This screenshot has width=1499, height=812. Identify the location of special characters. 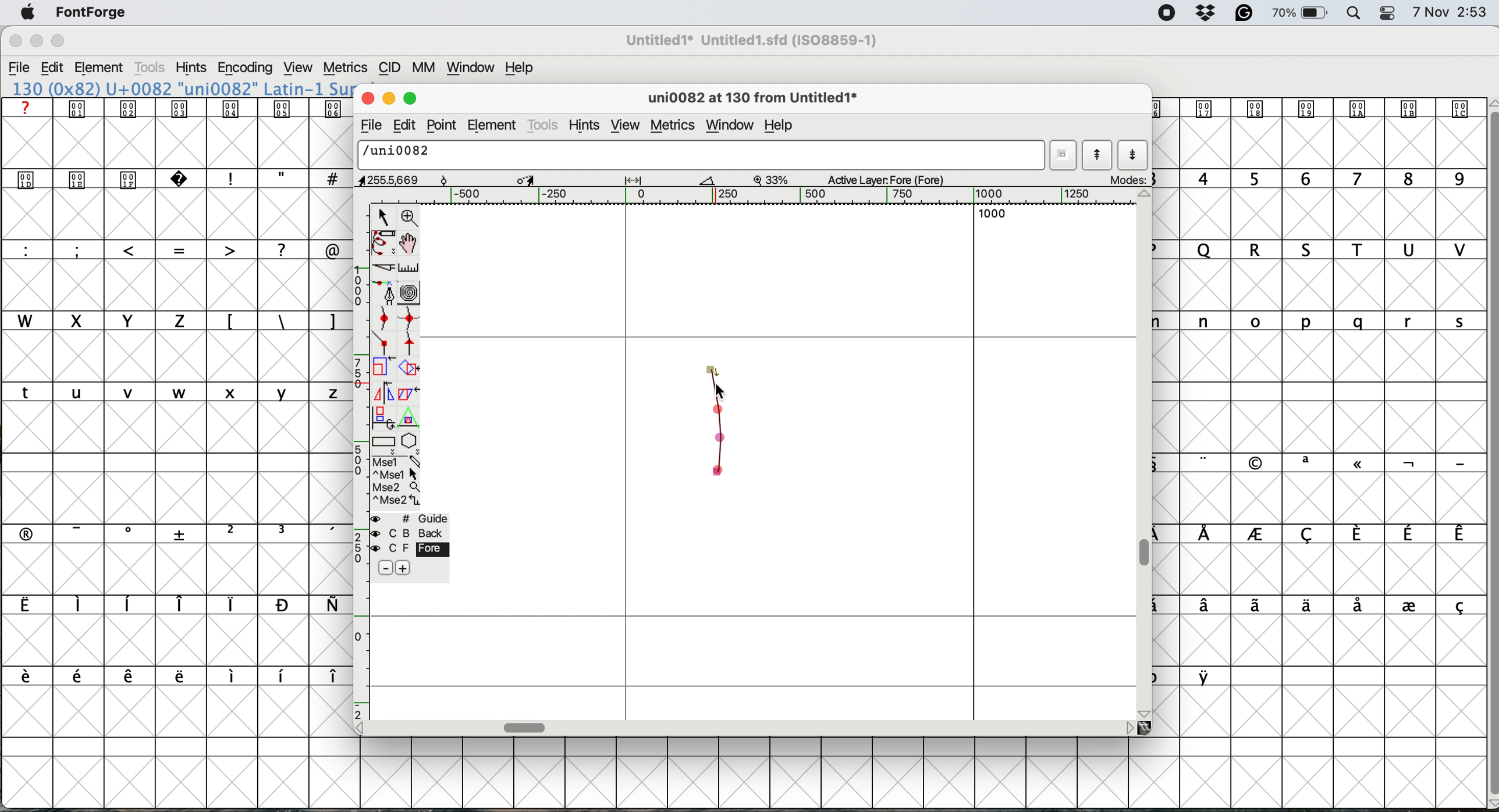
(169, 249).